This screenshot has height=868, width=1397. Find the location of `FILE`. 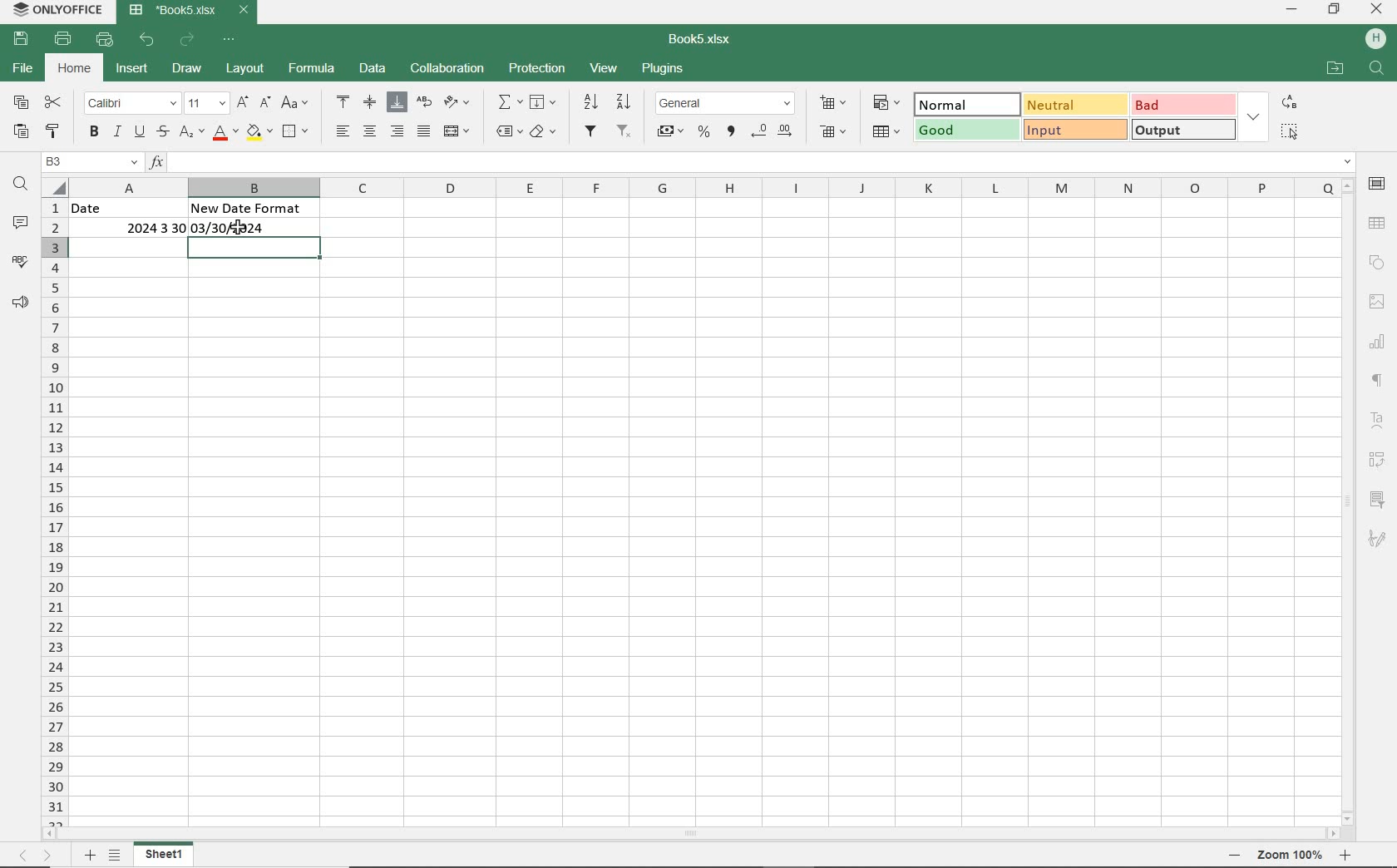

FILE is located at coordinates (25, 69).